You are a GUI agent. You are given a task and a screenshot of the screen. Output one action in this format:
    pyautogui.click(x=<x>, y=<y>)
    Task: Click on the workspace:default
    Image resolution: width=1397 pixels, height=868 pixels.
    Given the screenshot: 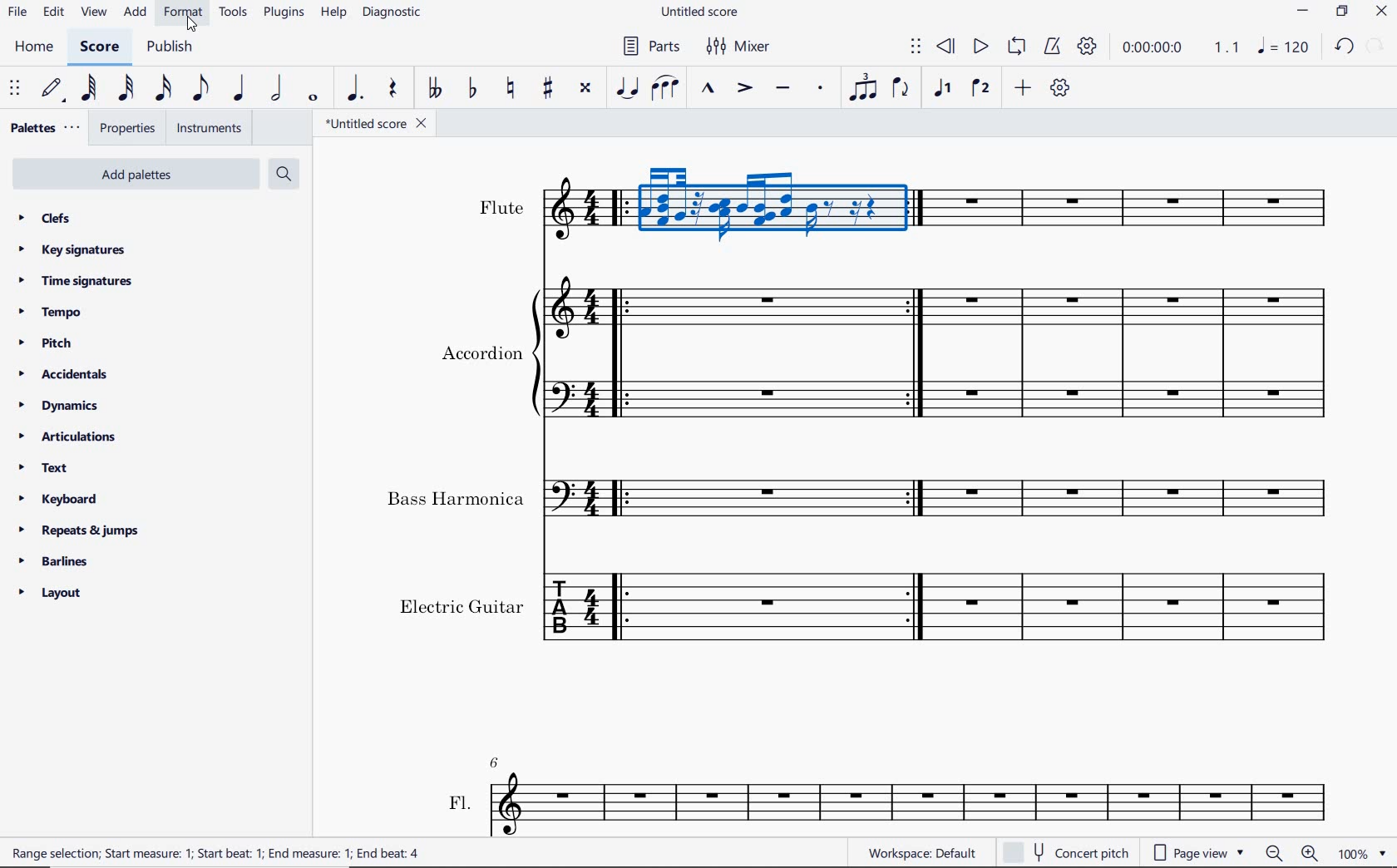 What is the action you would take?
    pyautogui.click(x=920, y=851)
    